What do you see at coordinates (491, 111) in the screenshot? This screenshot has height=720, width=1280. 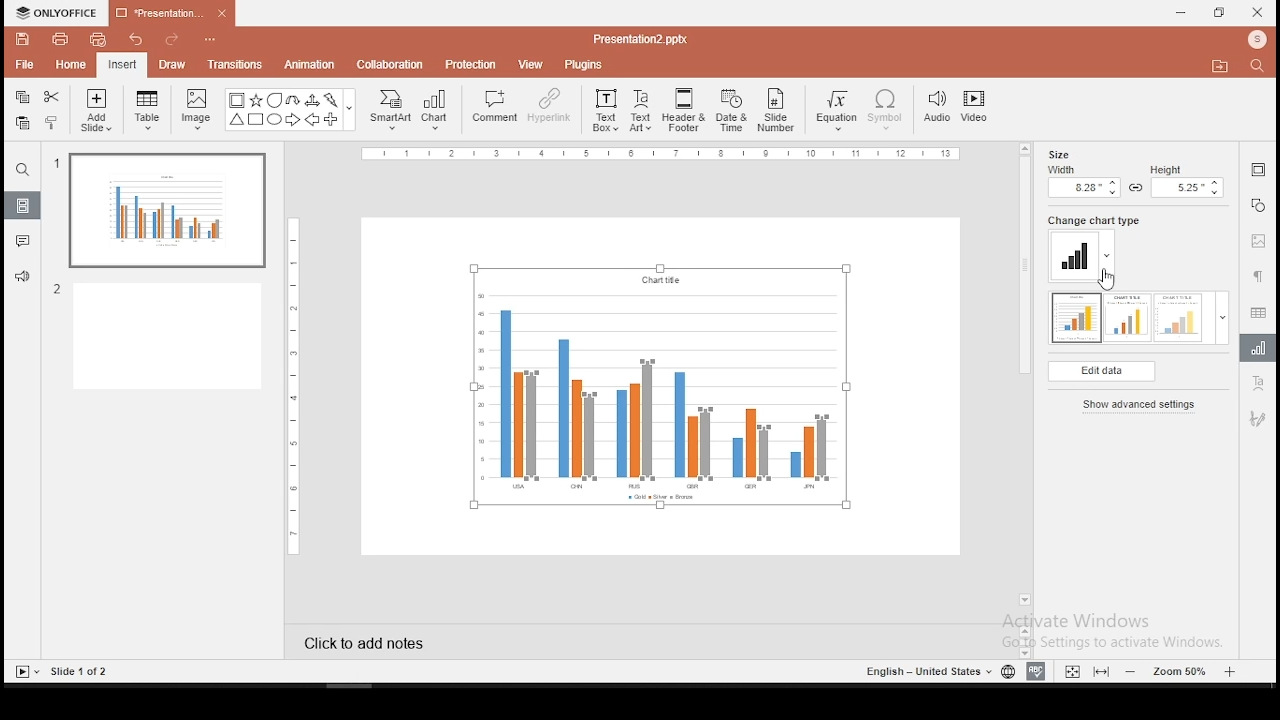 I see `comment` at bounding box center [491, 111].